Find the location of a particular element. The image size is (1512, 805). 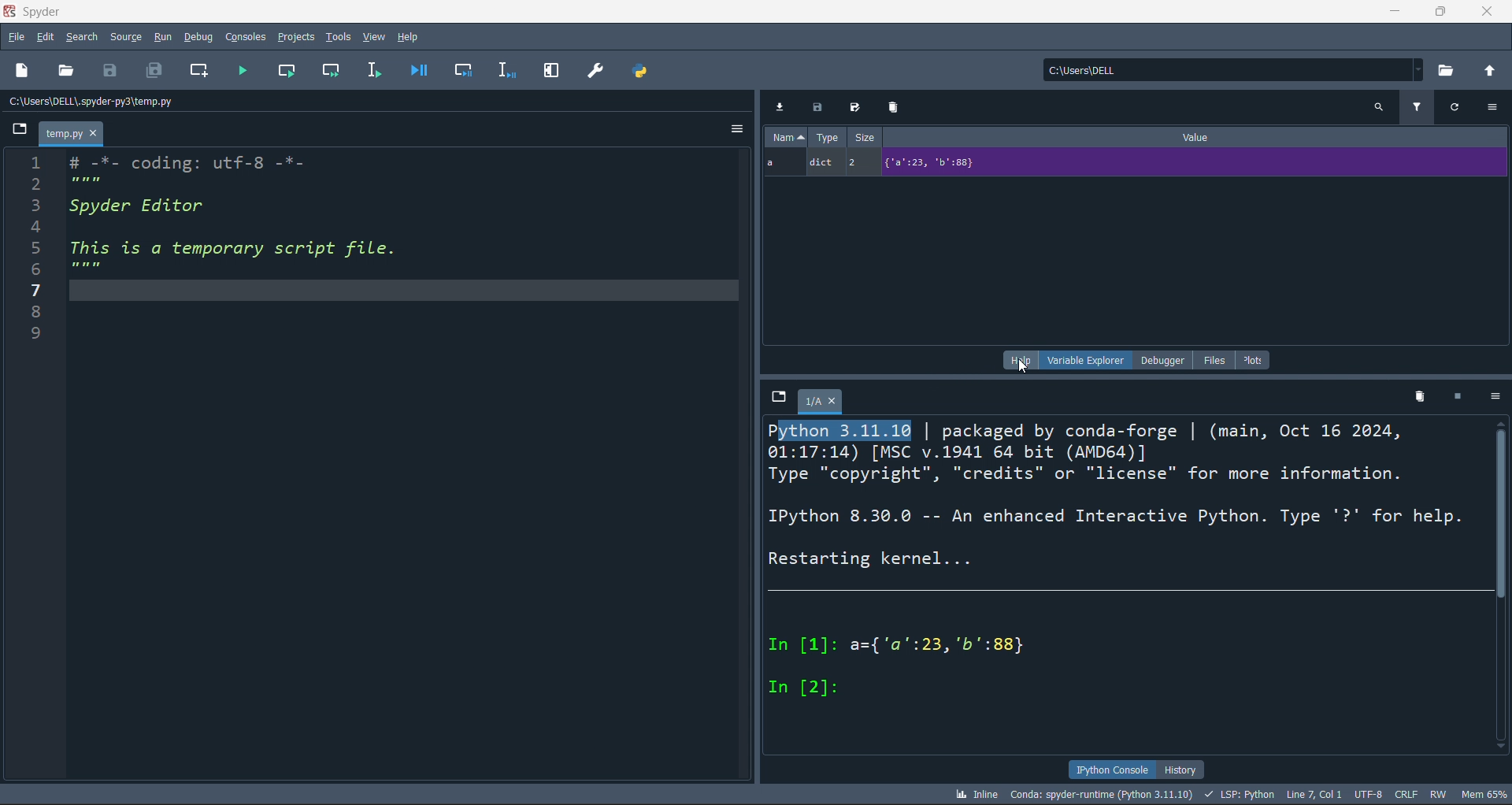

open parent directory is located at coordinates (1489, 70).